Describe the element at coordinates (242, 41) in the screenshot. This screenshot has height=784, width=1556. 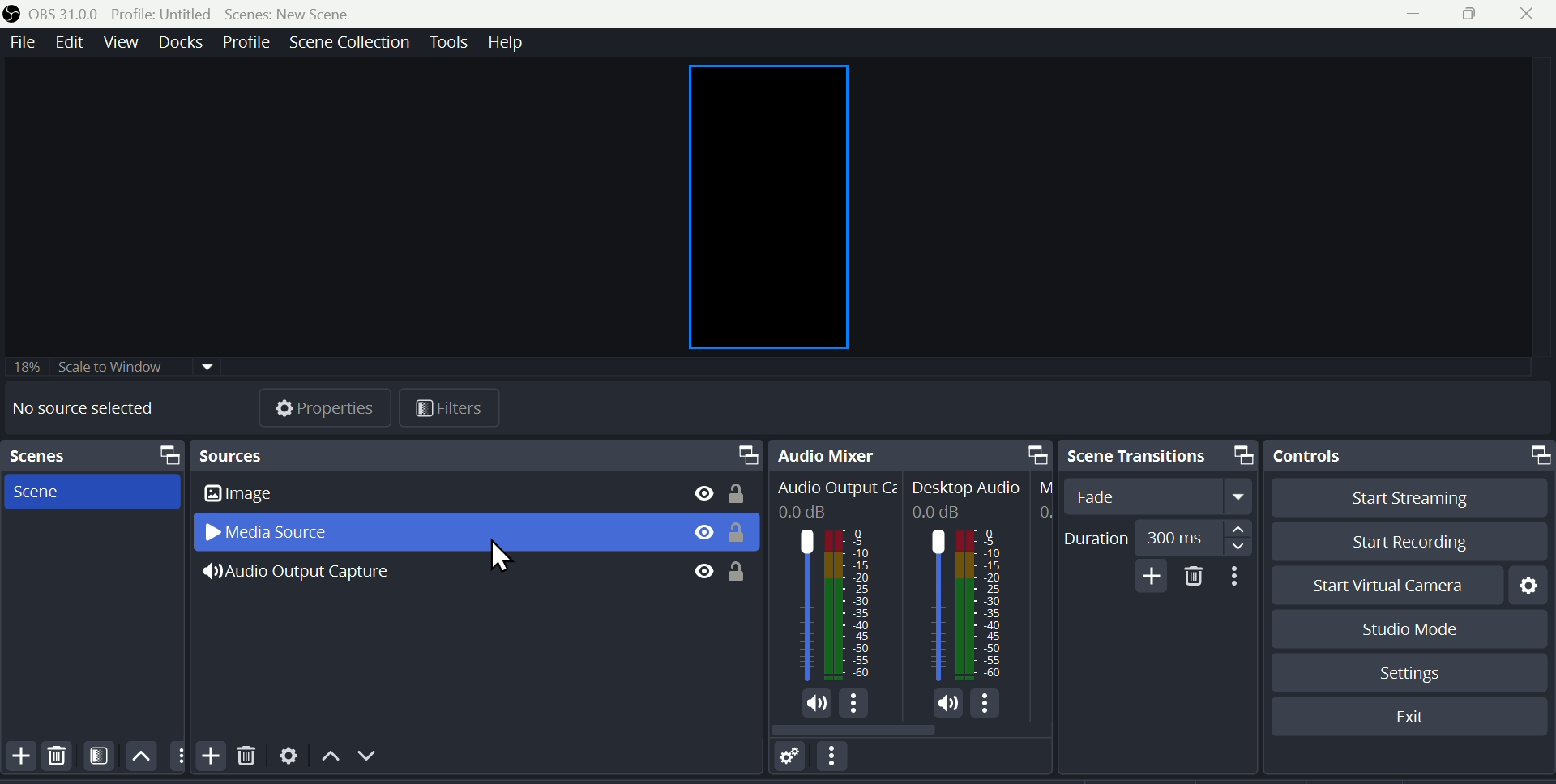
I see `Profile` at that location.